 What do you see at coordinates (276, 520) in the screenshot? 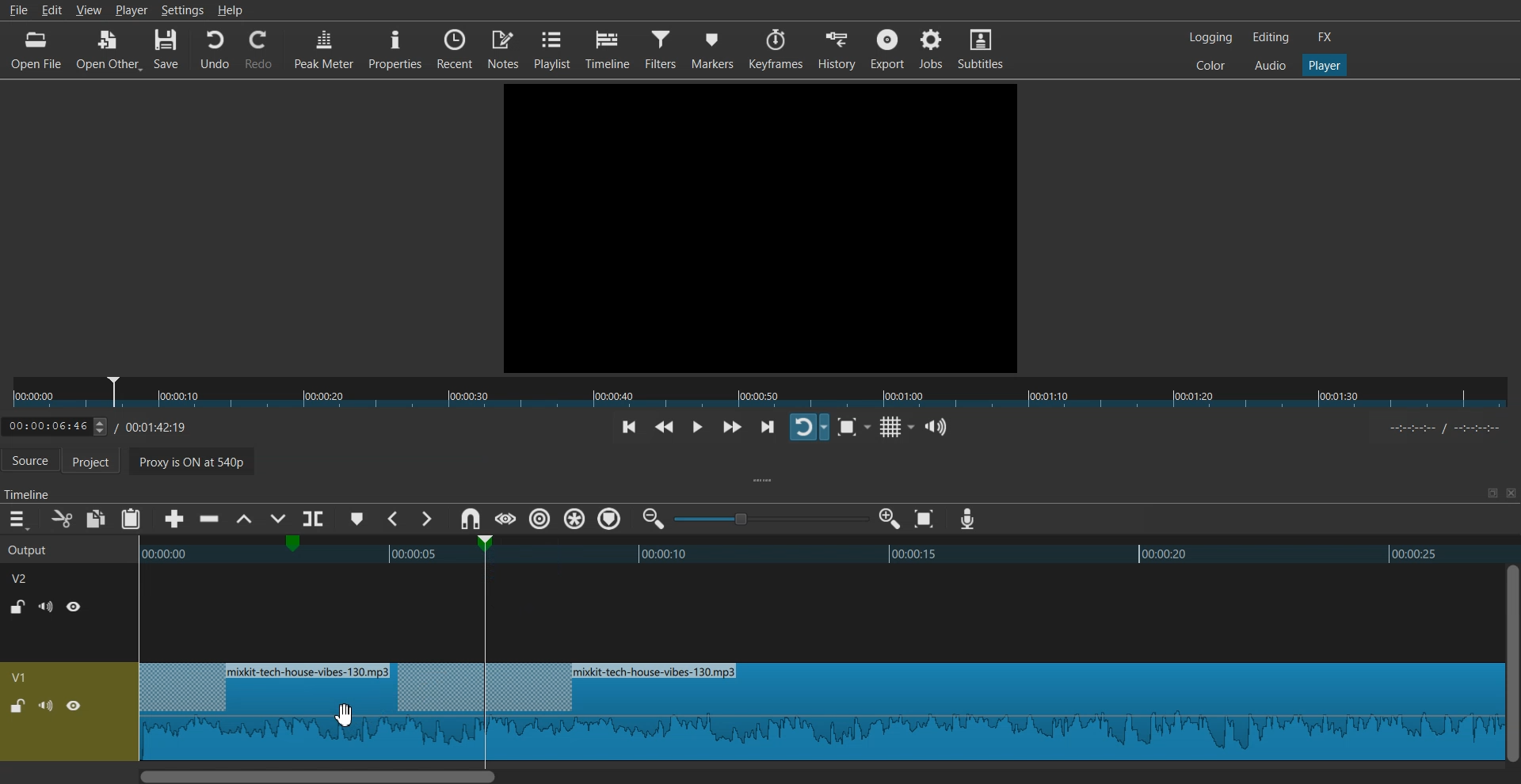
I see `Overwrite` at bounding box center [276, 520].